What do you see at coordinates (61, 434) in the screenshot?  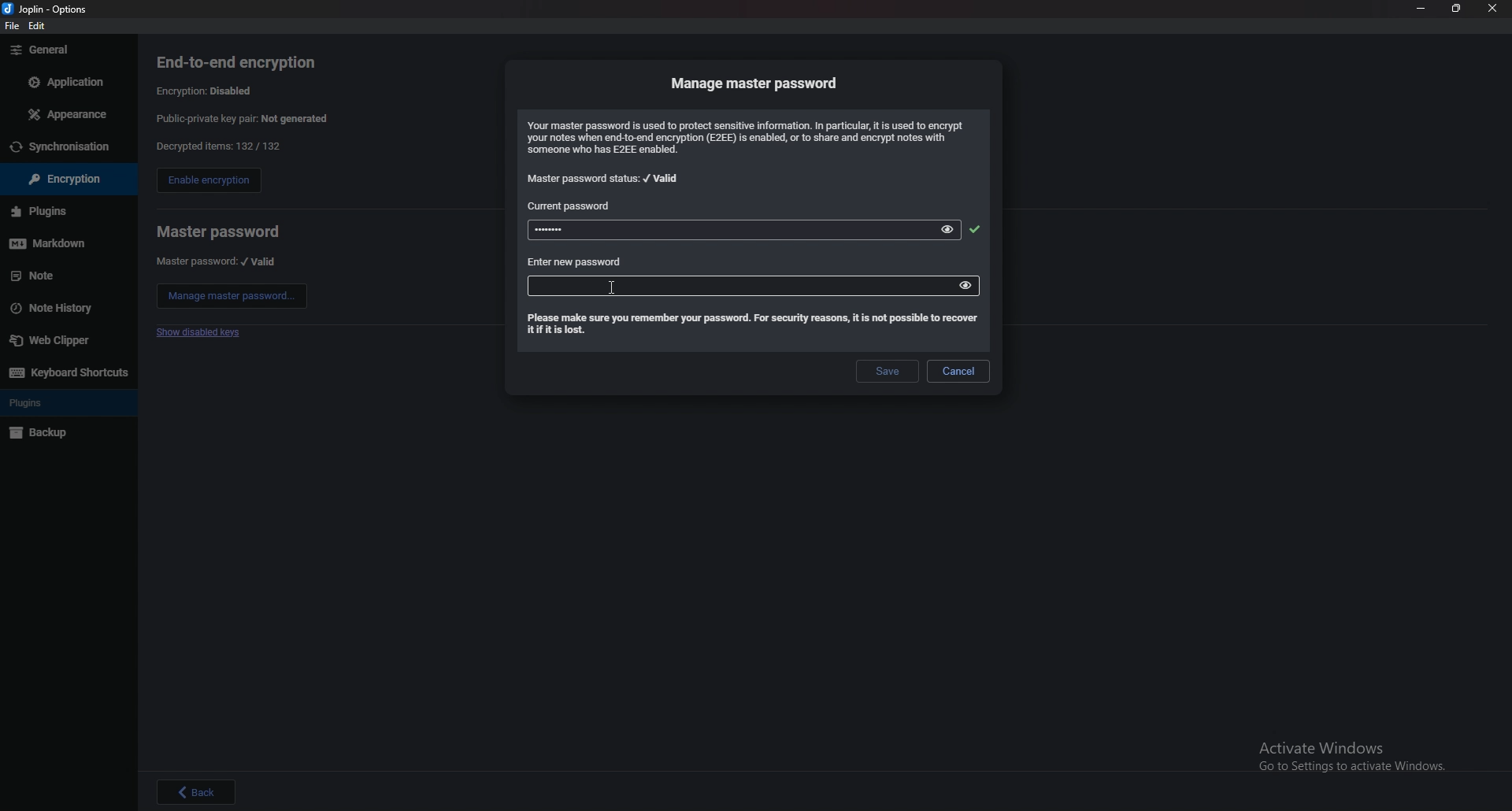 I see `backup` at bounding box center [61, 434].